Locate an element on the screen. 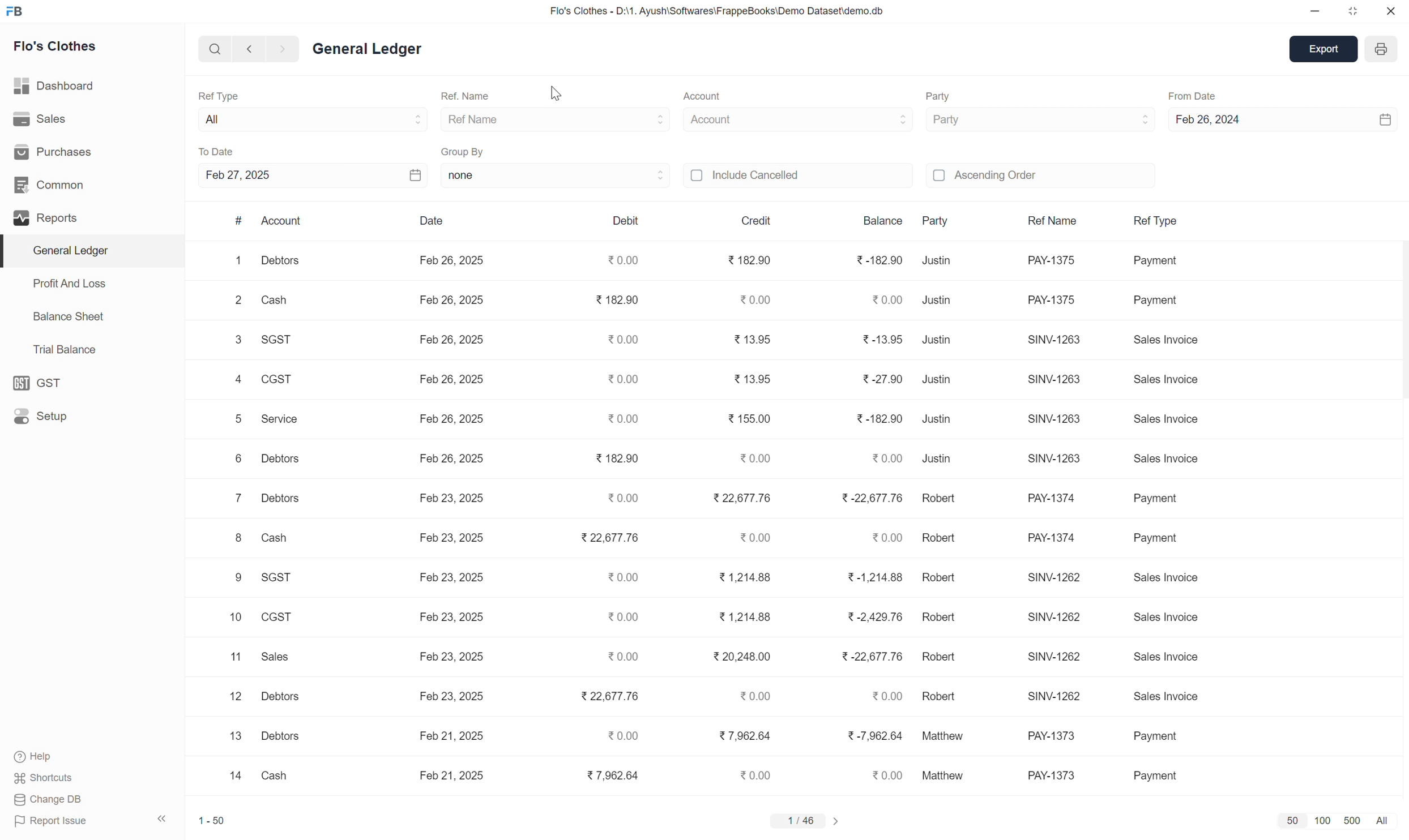 The width and height of the screenshot is (1409, 840). justin is located at coordinates (938, 380).